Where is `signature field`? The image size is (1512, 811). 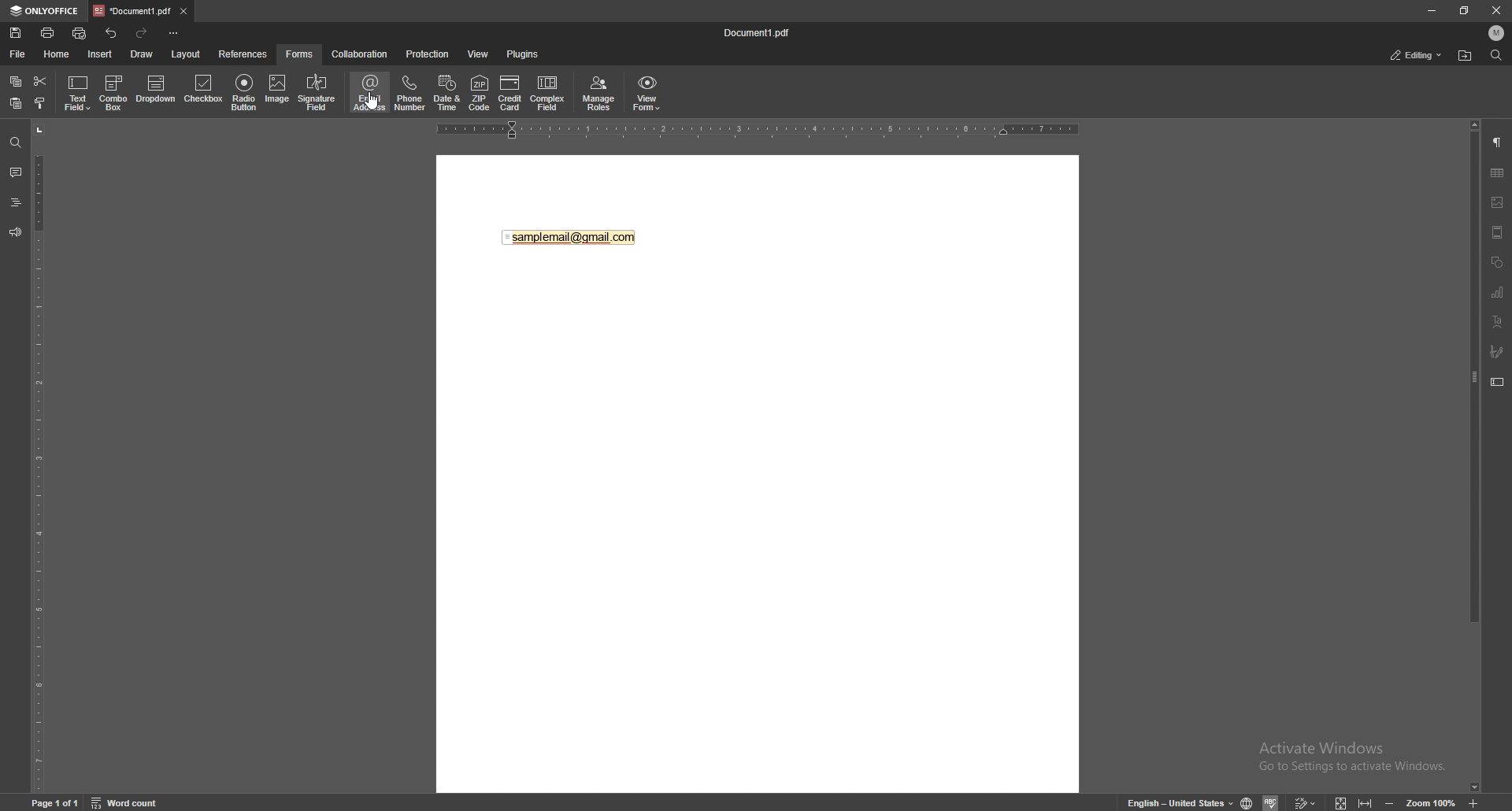 signature field is located at coordinates (1497, 352).